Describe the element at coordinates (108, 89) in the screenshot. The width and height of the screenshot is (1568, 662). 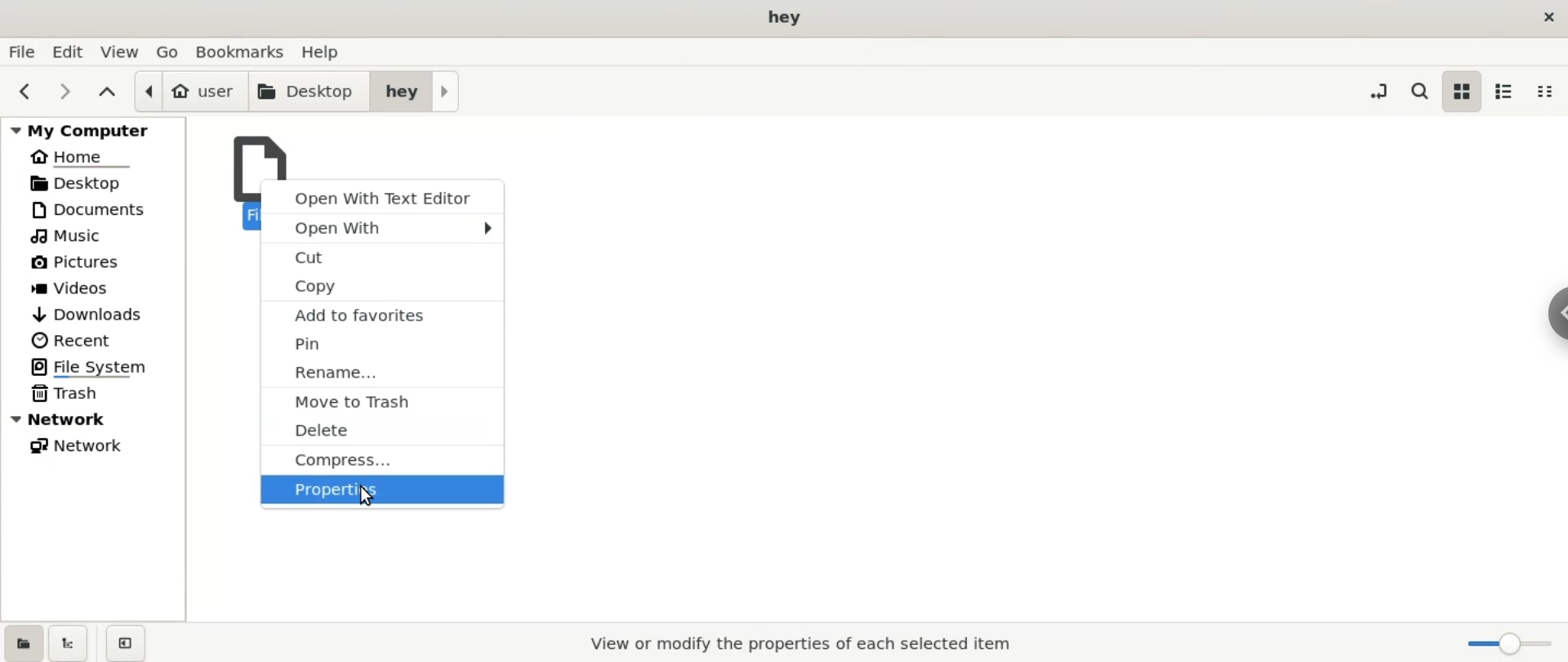
I see `parent folders` at that location.